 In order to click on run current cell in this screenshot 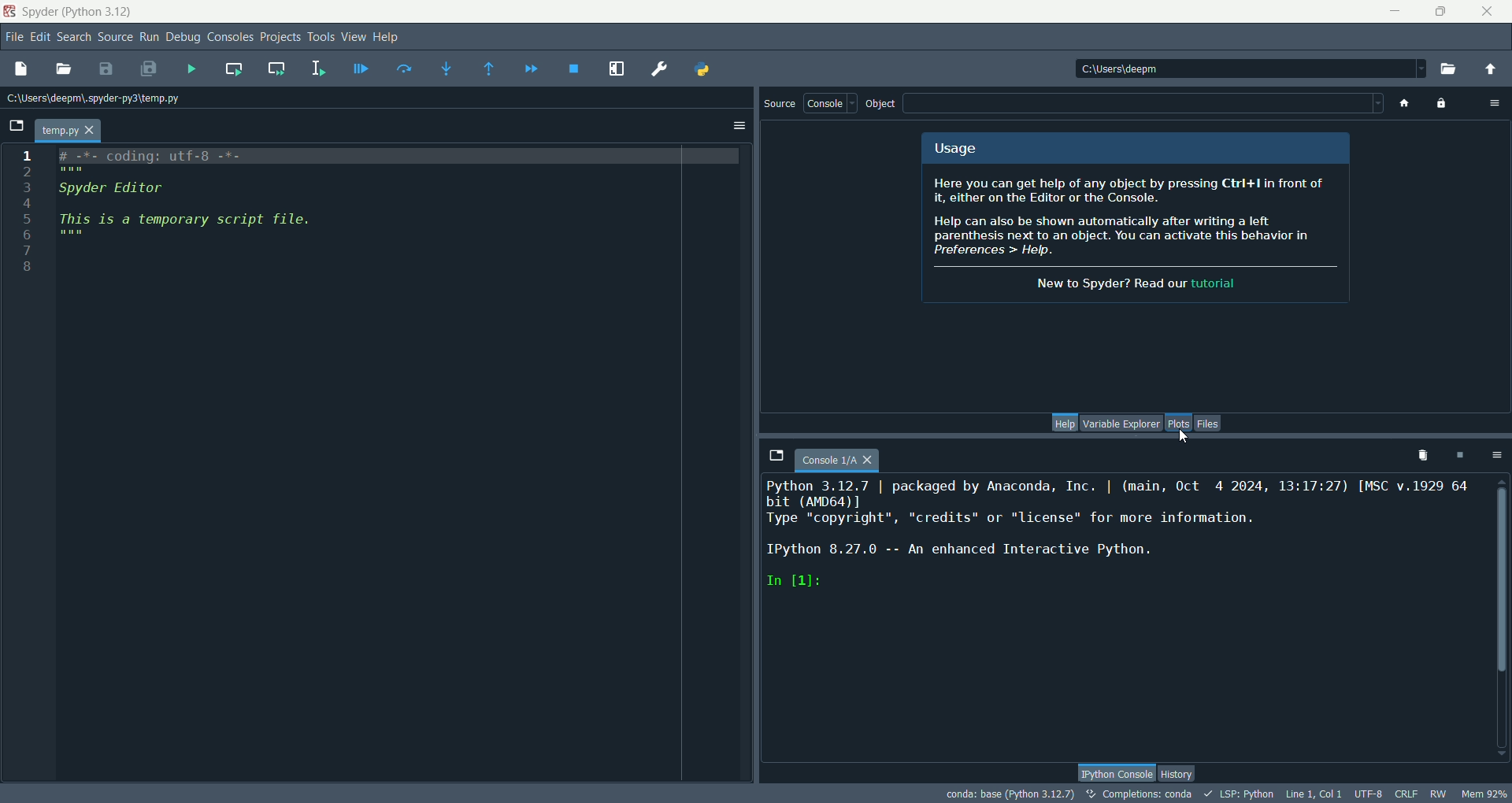, I will do `click(235, 68)`.